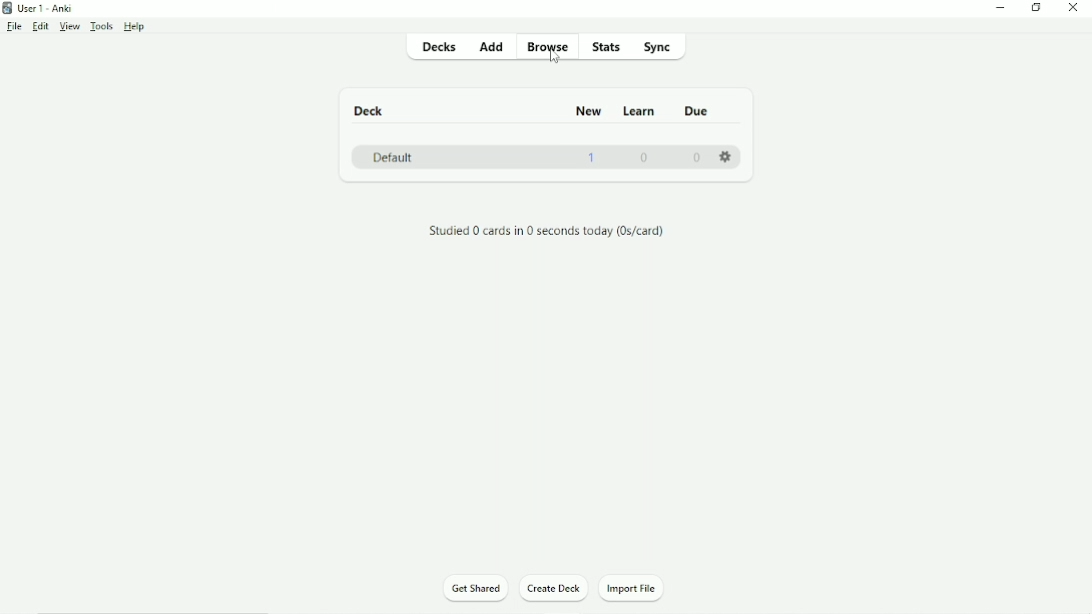  Describe the element at coordinates (70, 26) in the screenshot. I see `View` at that location.